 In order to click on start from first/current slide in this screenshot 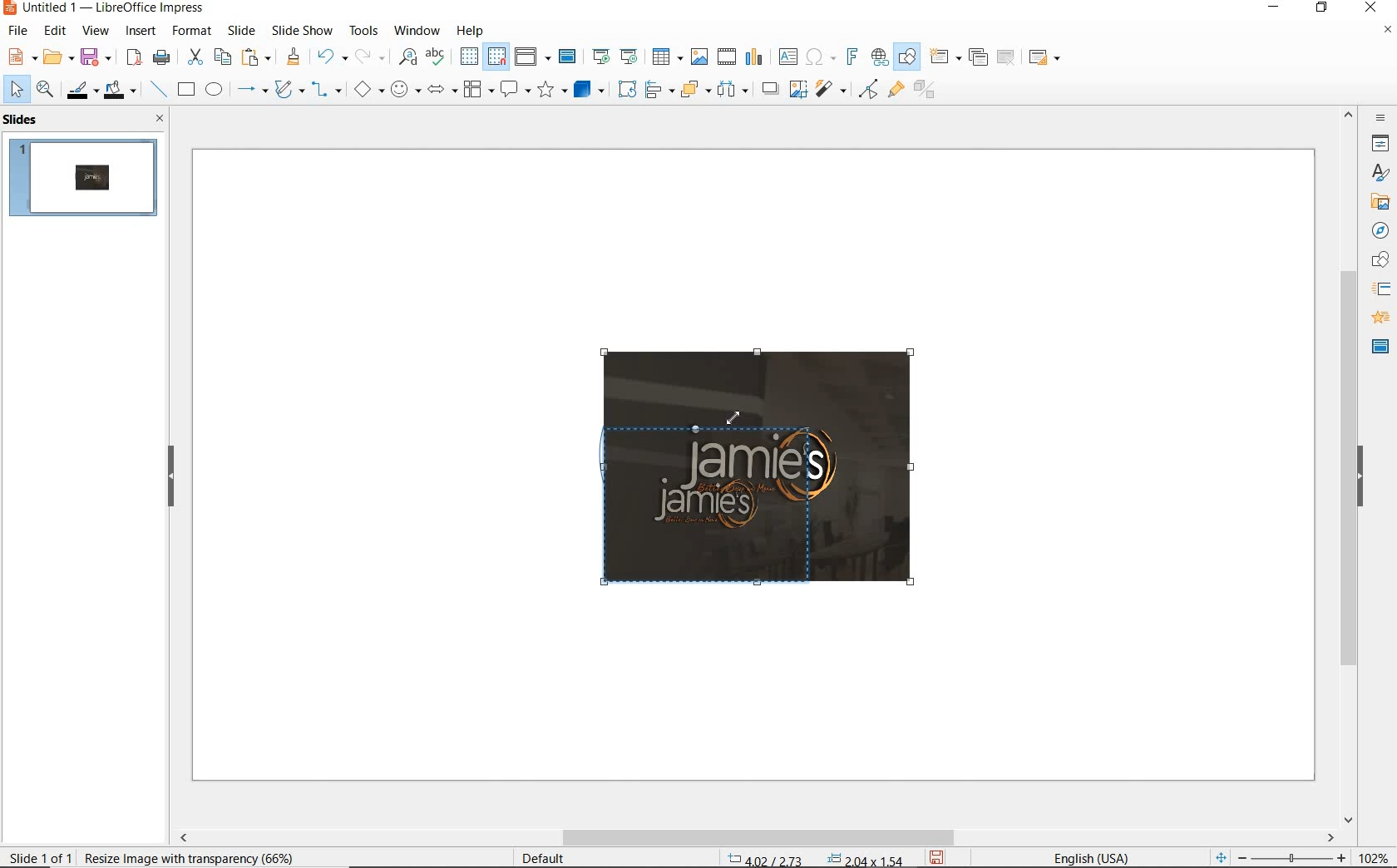, I will do `click(615, 55)`.